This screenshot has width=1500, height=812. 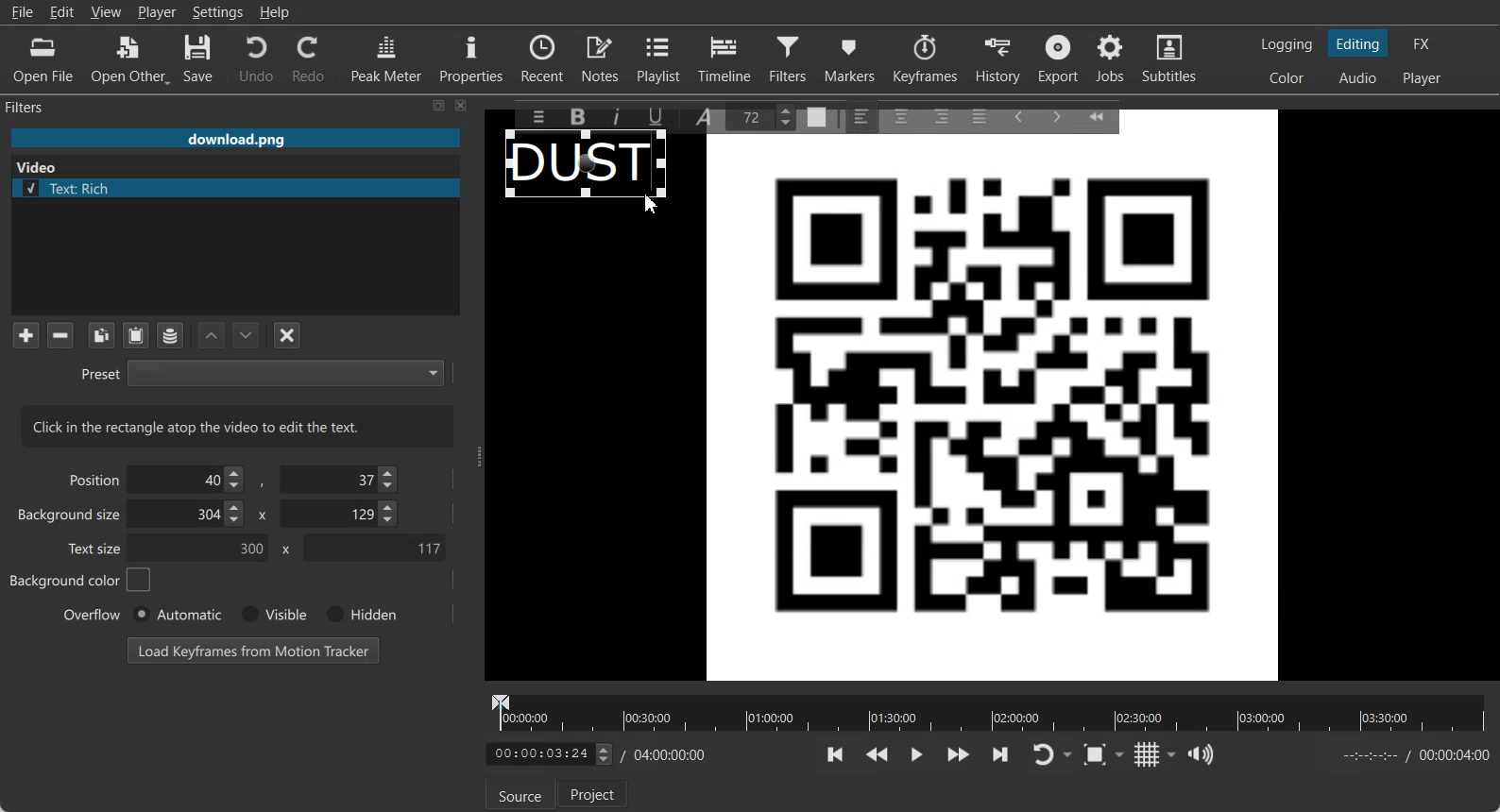 What do you see at coordinates (169, 336) in the screenshot?
I see `Save a filter set` at bounding box center [169, 336].